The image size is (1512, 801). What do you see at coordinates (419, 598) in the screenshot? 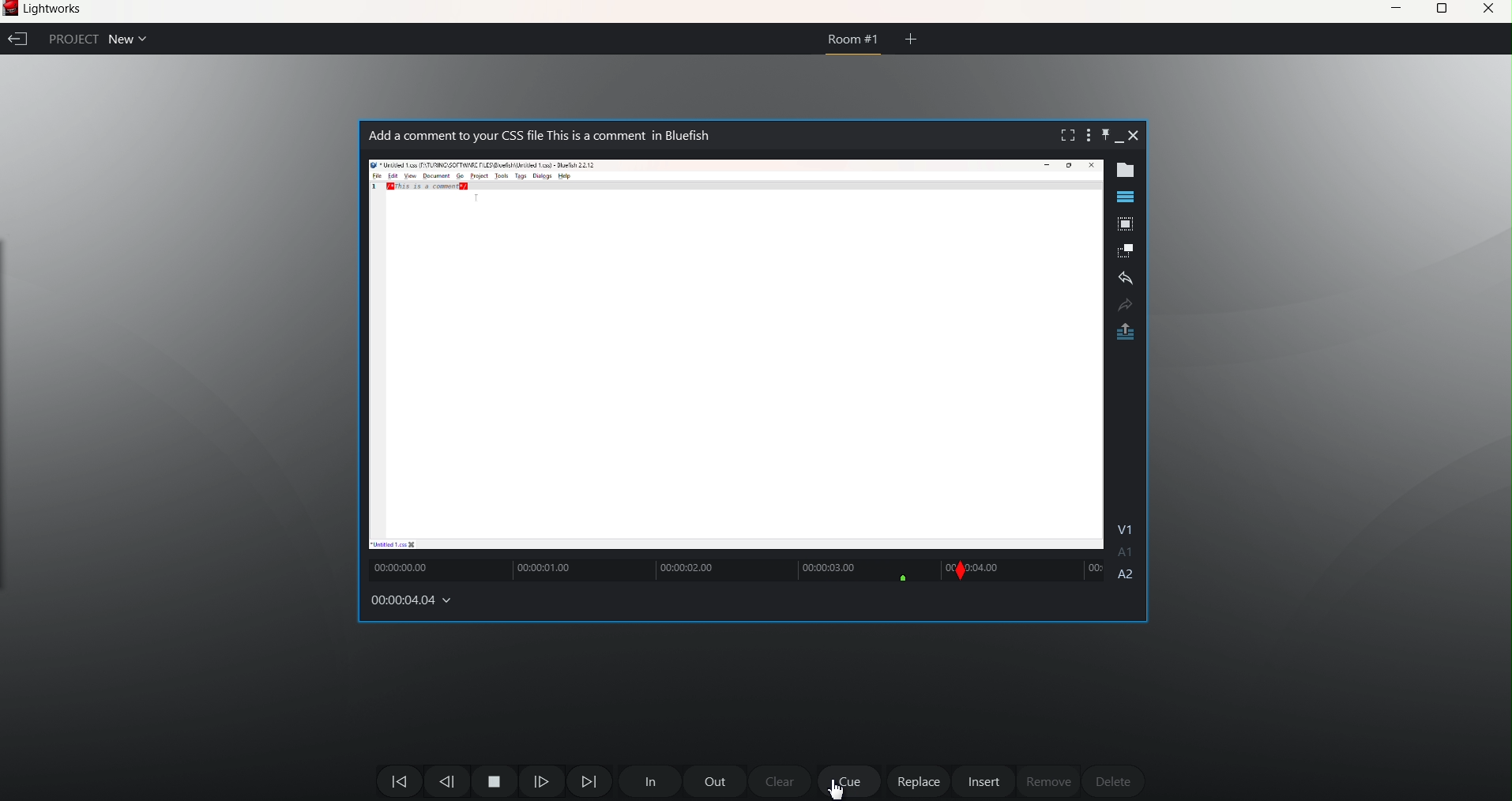
I see `00:00:04:04 (Time changed)` at bounding box center [419, 598].